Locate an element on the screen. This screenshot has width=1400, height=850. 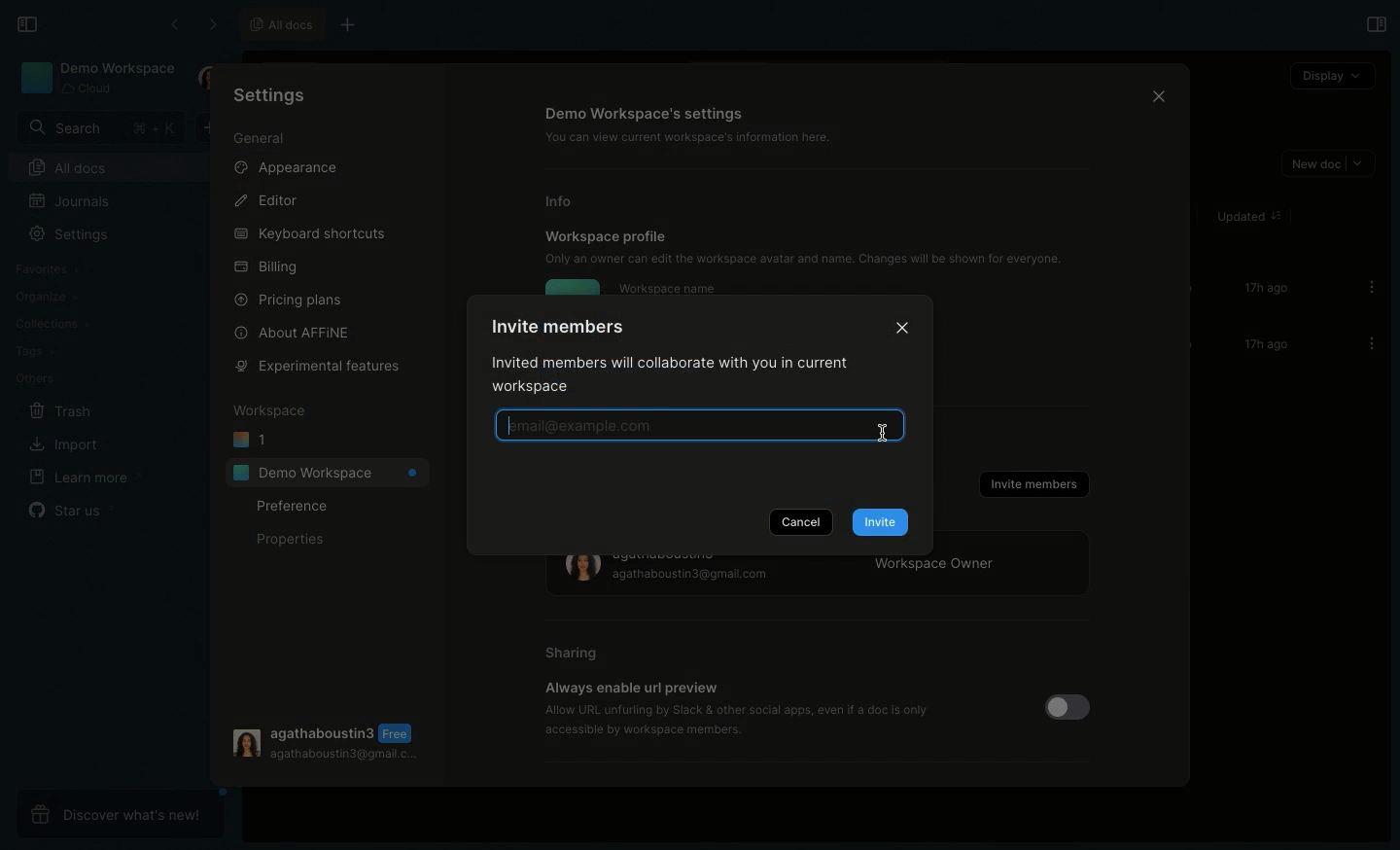
Pricing plans is located at coordinates (289, 300).